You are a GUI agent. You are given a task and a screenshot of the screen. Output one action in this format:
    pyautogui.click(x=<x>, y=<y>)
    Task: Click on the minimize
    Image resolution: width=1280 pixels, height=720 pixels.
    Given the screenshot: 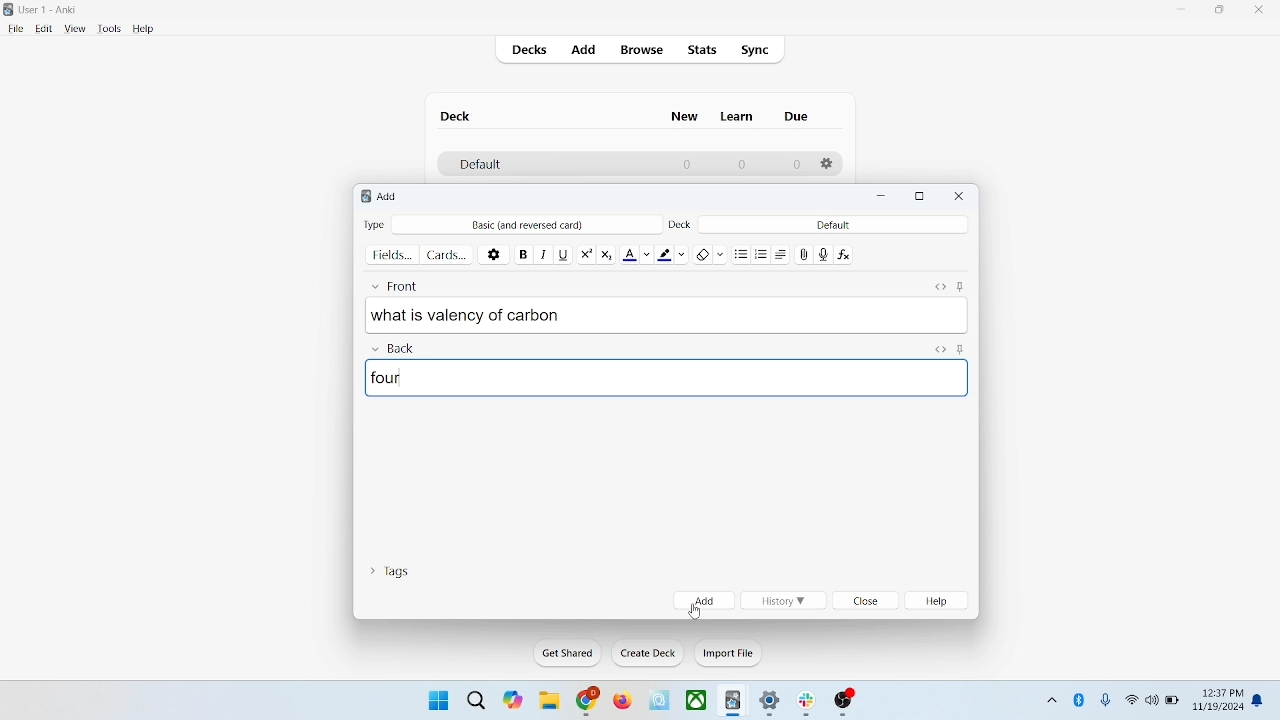 What is the action you would take?
    pyautogui.click(x=1183, y=10)
    